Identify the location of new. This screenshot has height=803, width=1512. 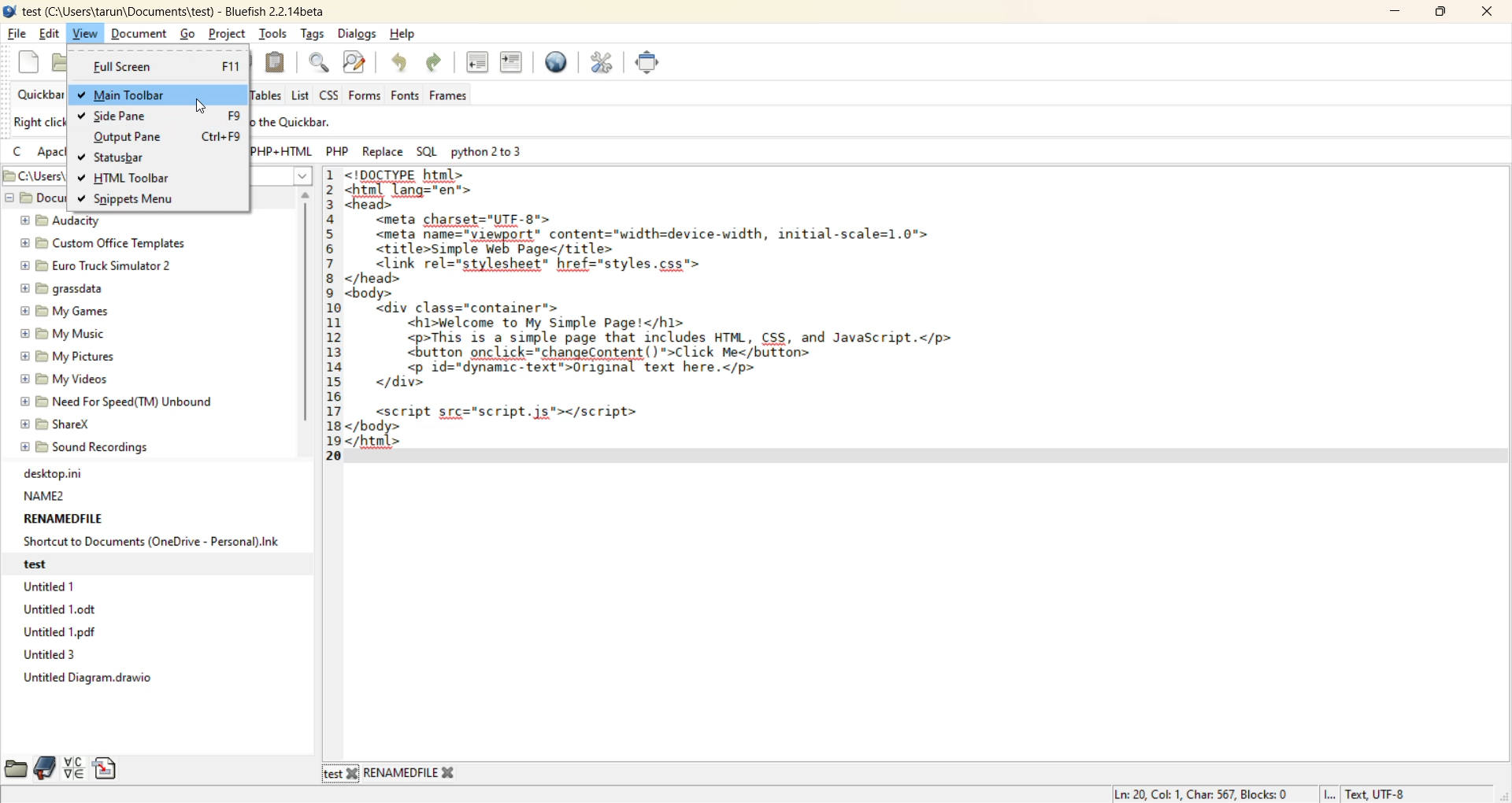
(31, 61).